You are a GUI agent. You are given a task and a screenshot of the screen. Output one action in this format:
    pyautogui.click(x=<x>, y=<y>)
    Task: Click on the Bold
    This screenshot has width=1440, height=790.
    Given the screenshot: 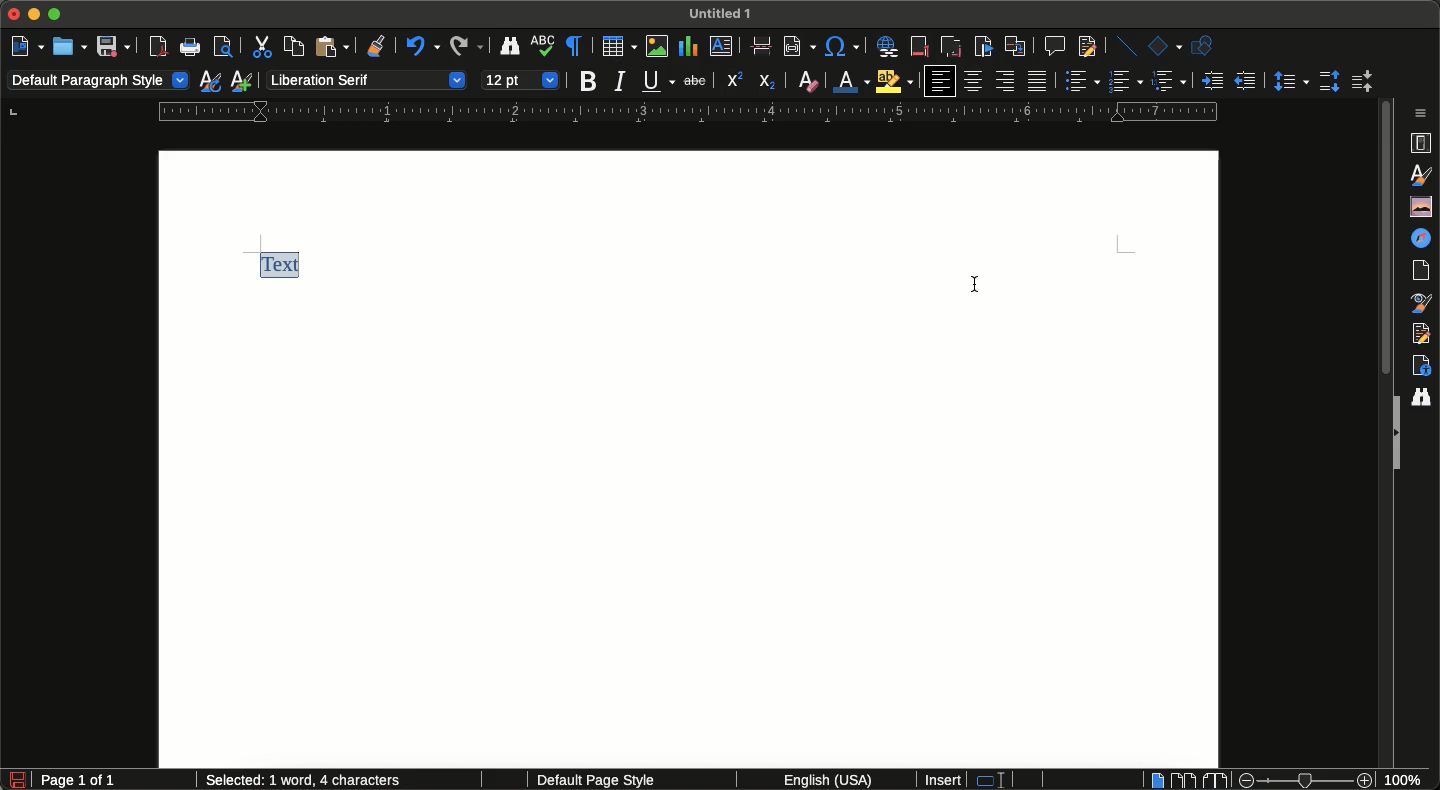 What is the action you would take?
    pyautogui.click(x=589, y=82)
    